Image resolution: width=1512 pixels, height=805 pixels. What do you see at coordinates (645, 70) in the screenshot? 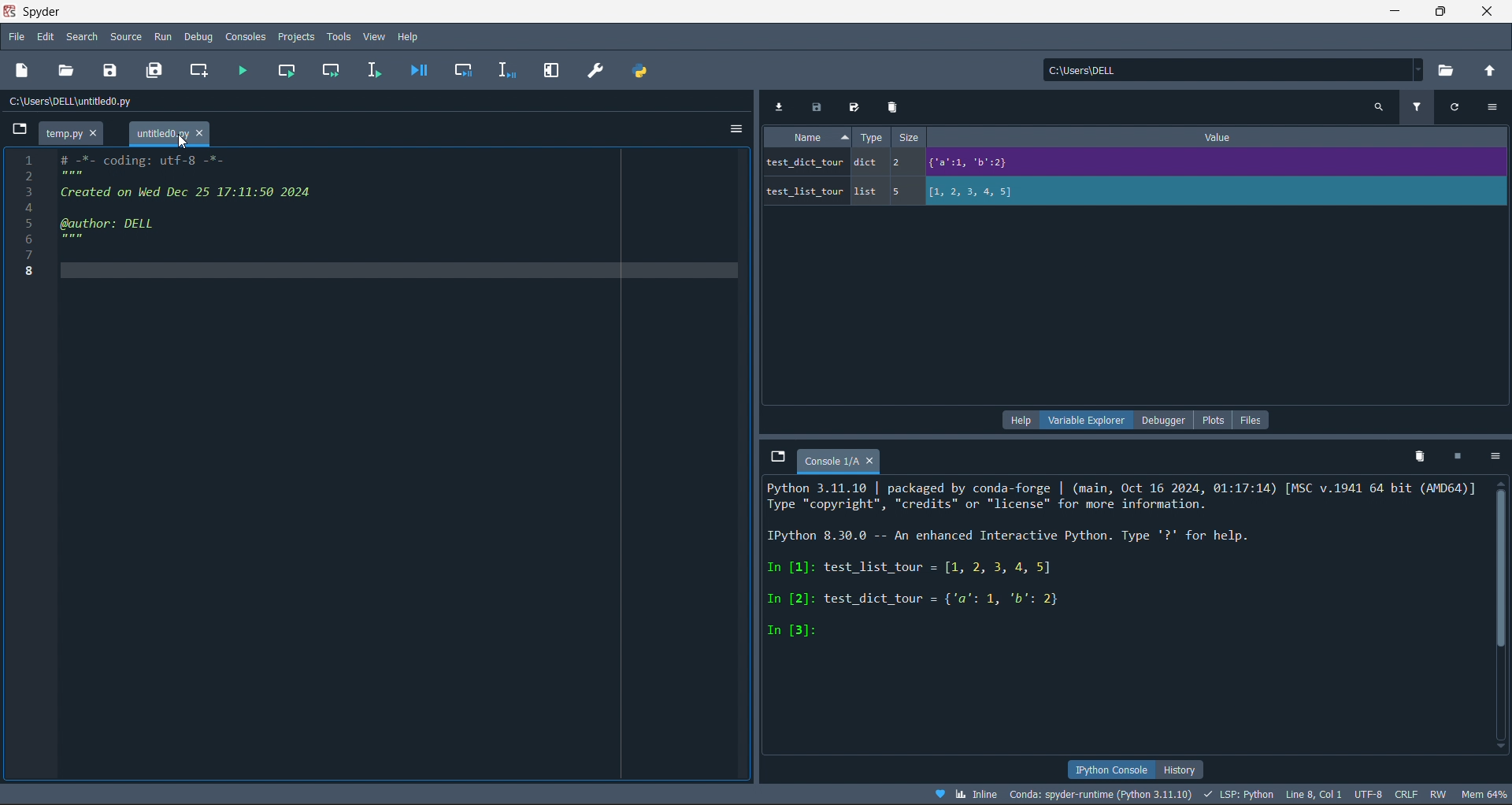
I see `path manager` at bounding box center [645, 70].